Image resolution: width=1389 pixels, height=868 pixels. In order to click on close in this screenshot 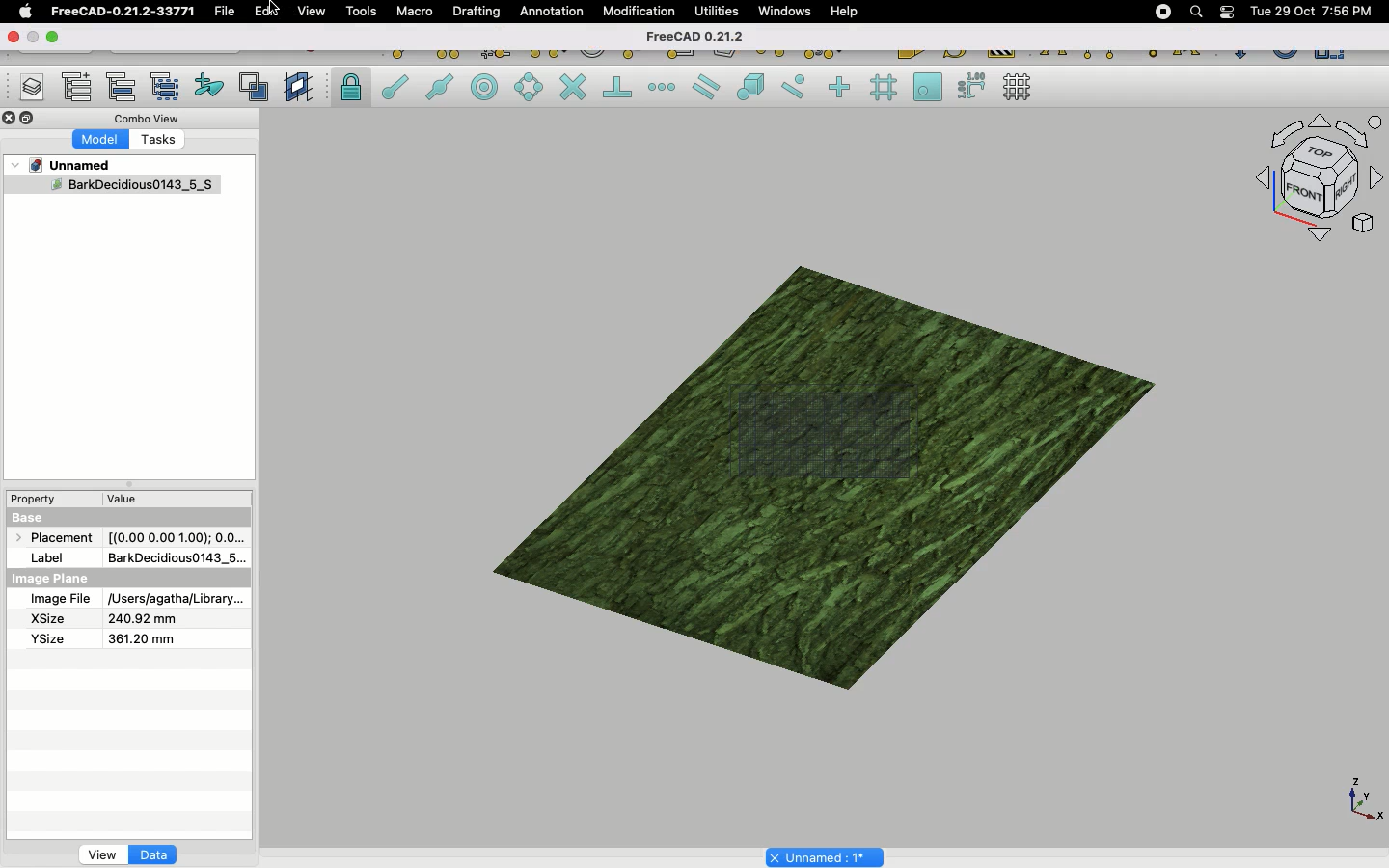, I will do `click(11, 38)`.